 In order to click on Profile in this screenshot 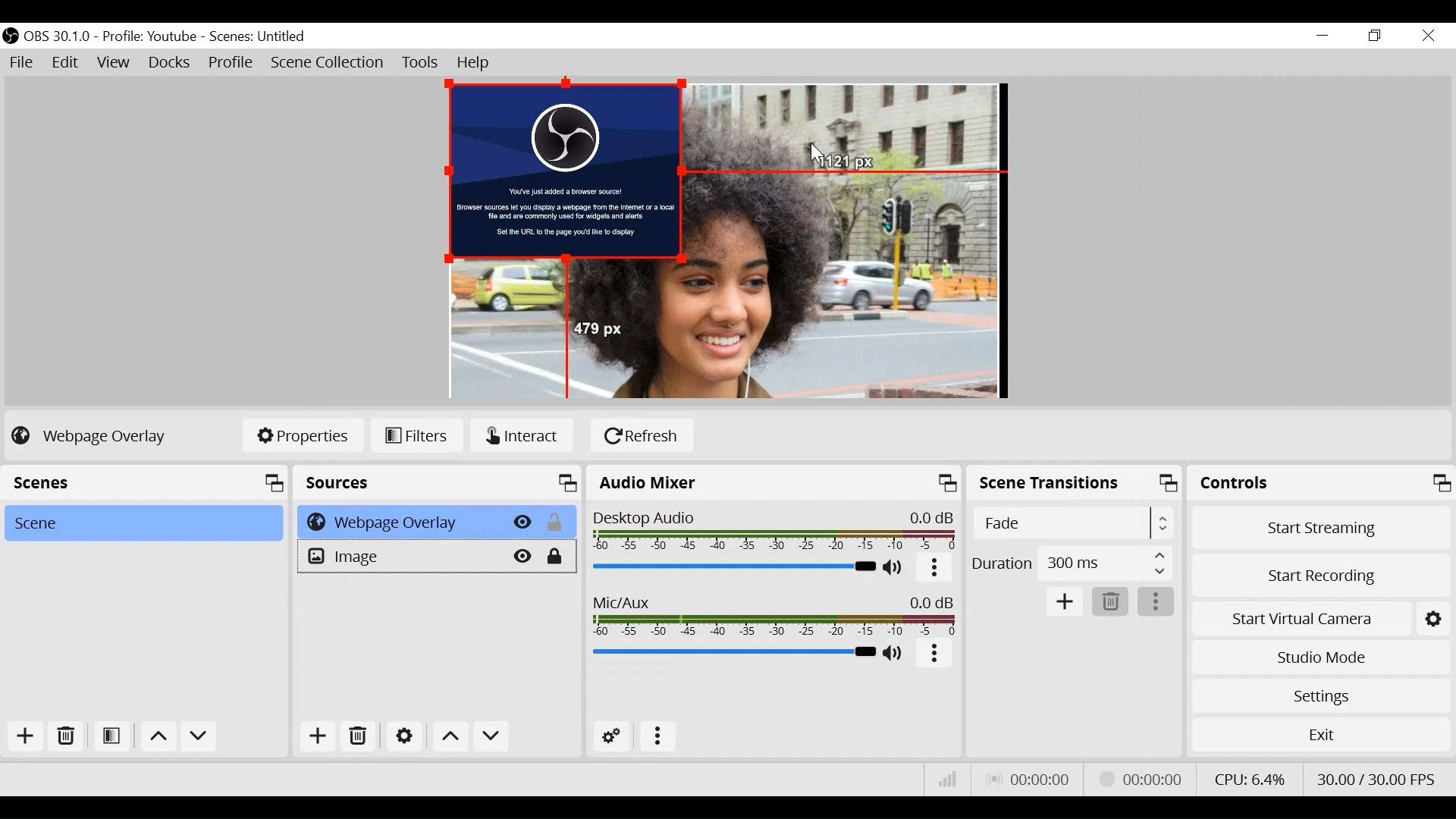, I will do `click(234, 64)`.